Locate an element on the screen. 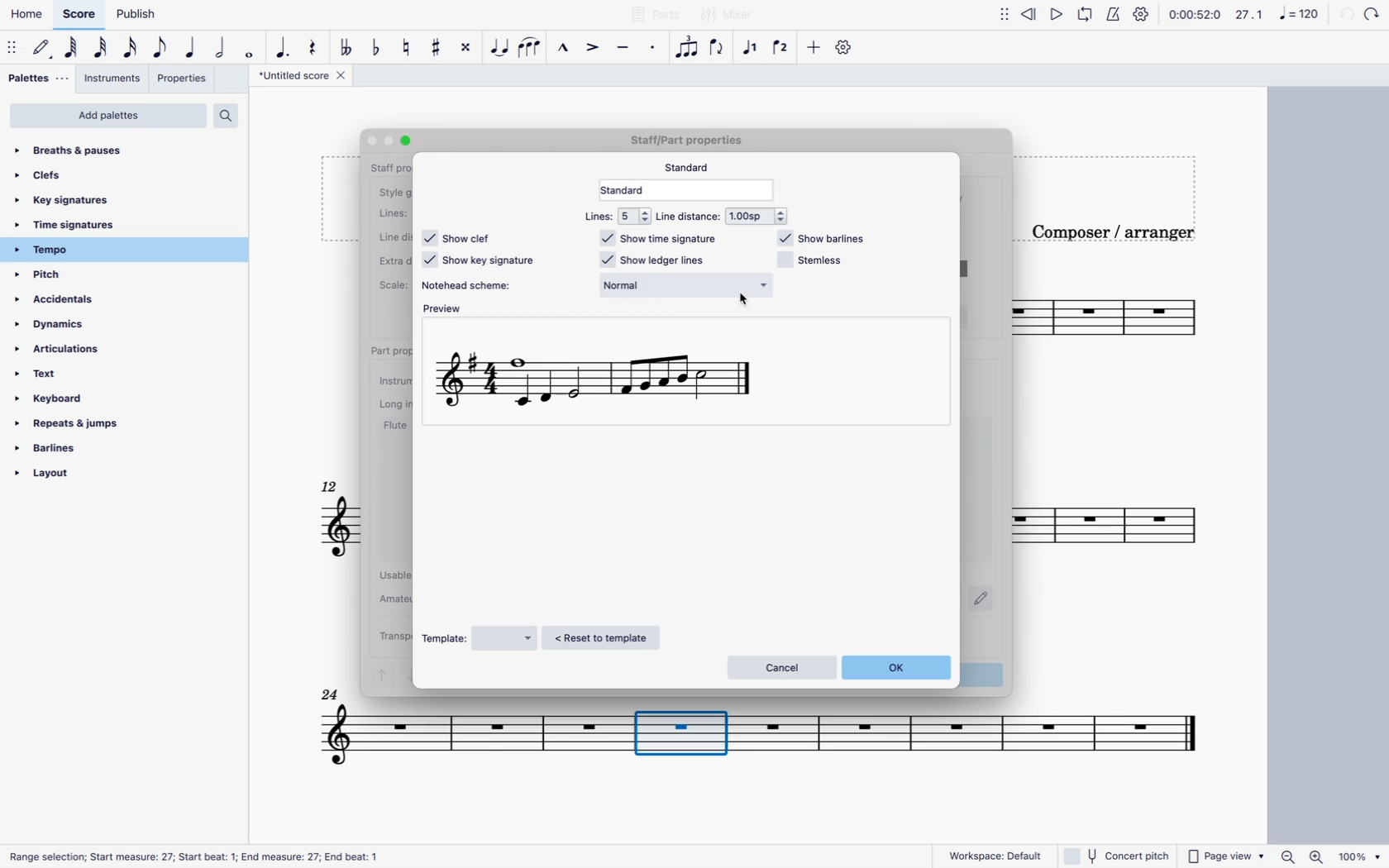 The image size is (1389, 868). home is located at coordinates (29, 13).